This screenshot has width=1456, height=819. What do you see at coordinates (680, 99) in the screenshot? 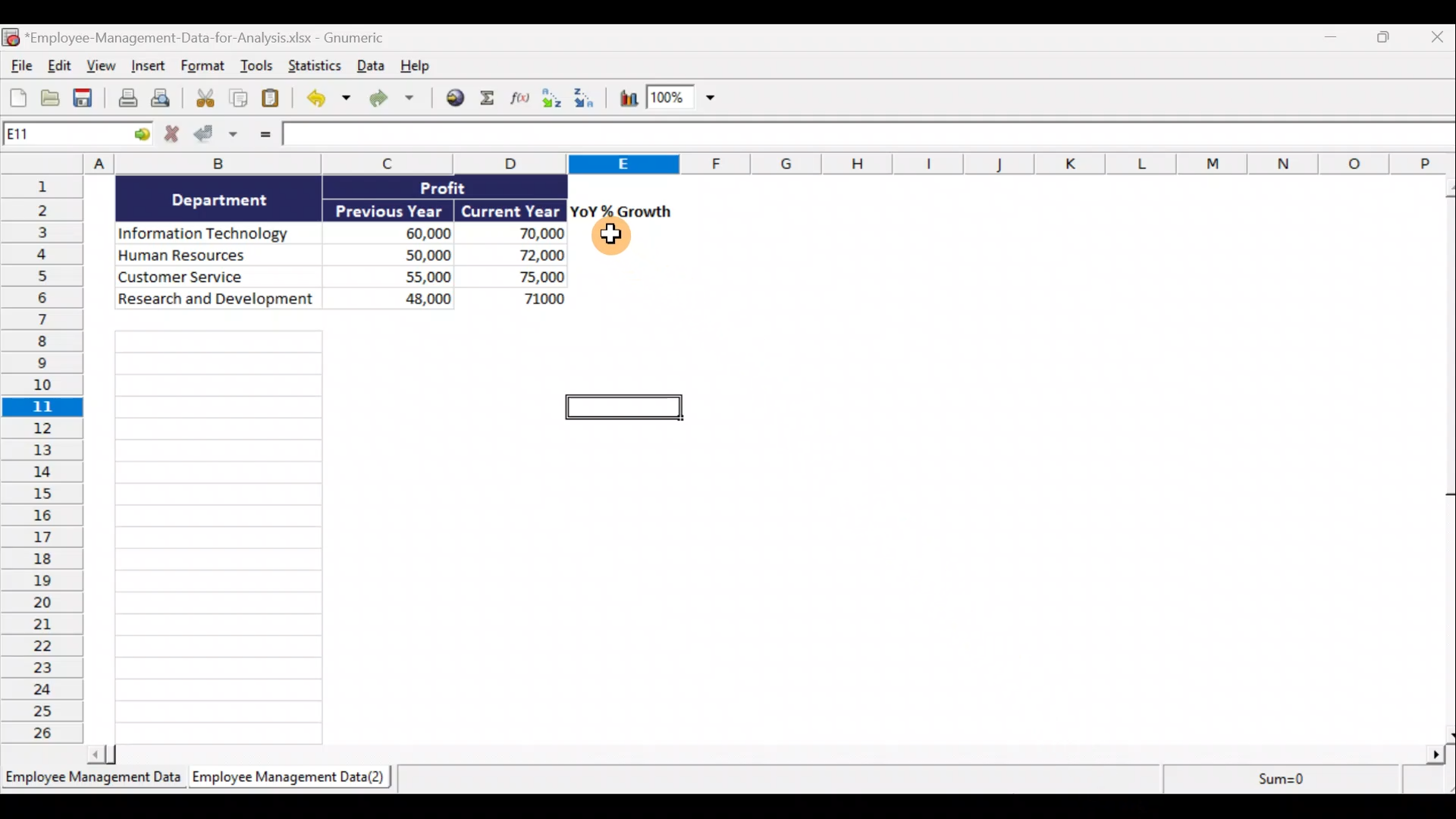
I see `Zoom` at bounding box center [680, 99].